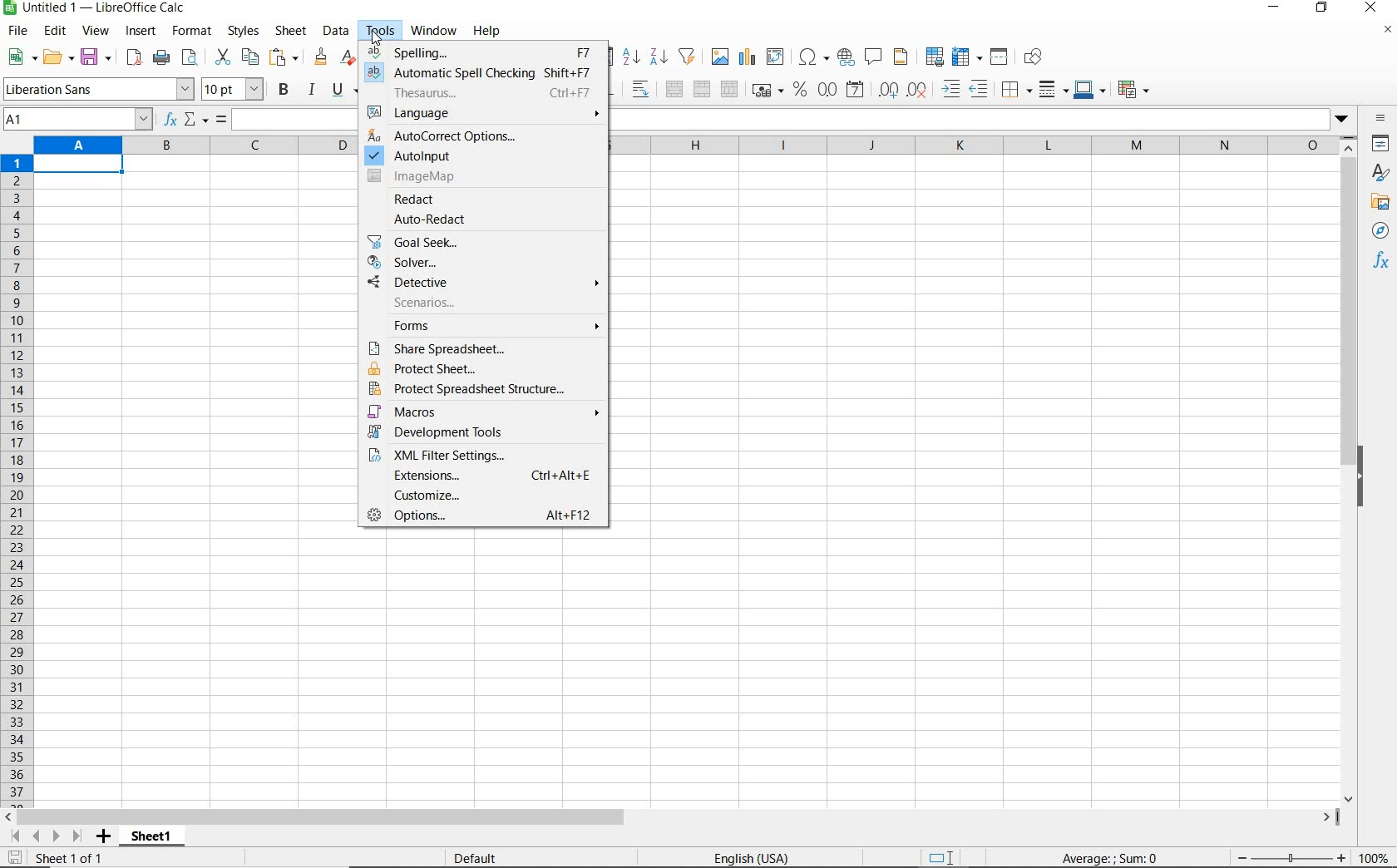 Image resolution: width=1397 pixels, height=868 pixels. What do you see at coordinates (285, 90) in the screenshot?
I see `bold` at bounding box center [285, 90].